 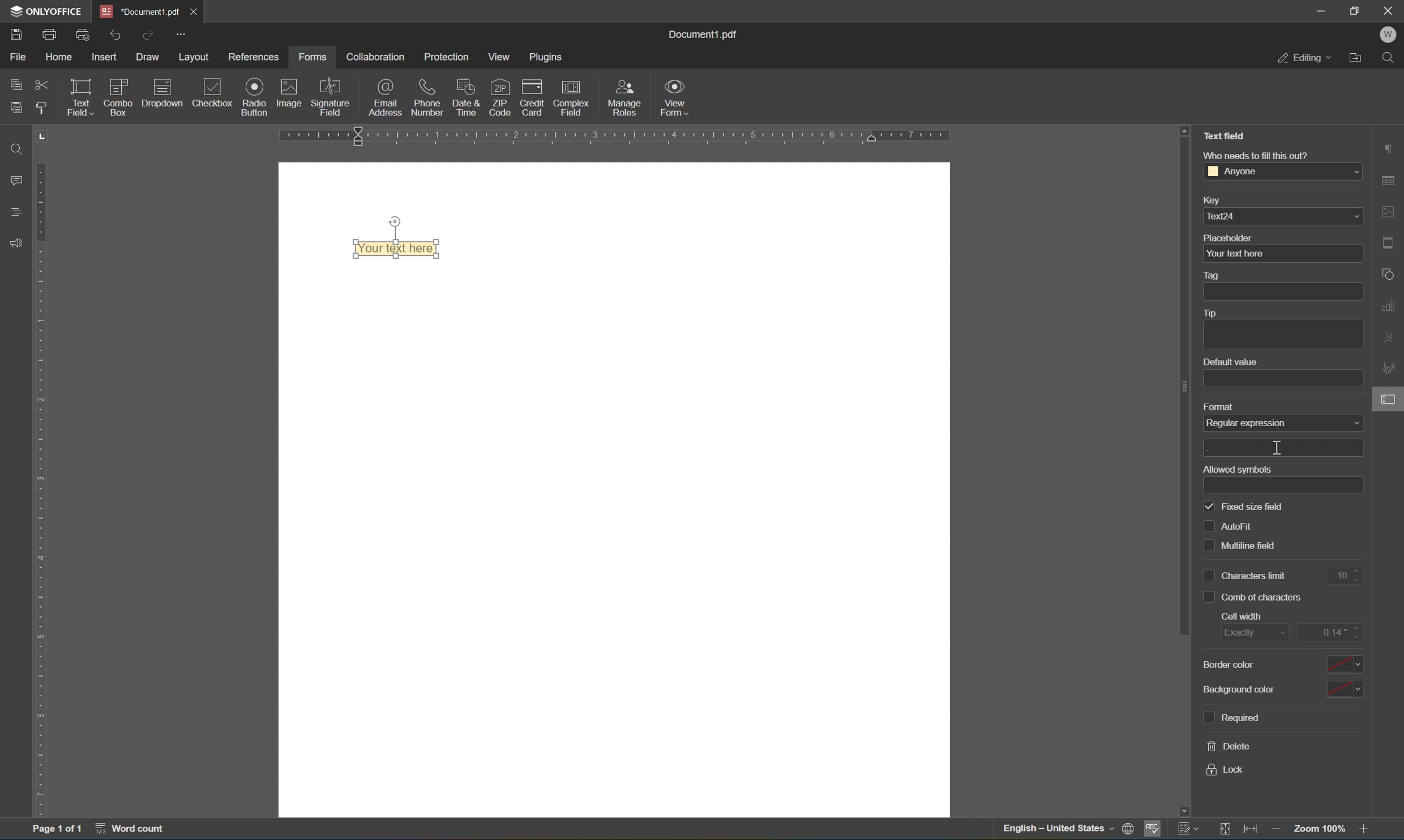 What do you see at coordinates (675, 97) in the screenshot?
I see `view form` at bounding box center [675, 97].